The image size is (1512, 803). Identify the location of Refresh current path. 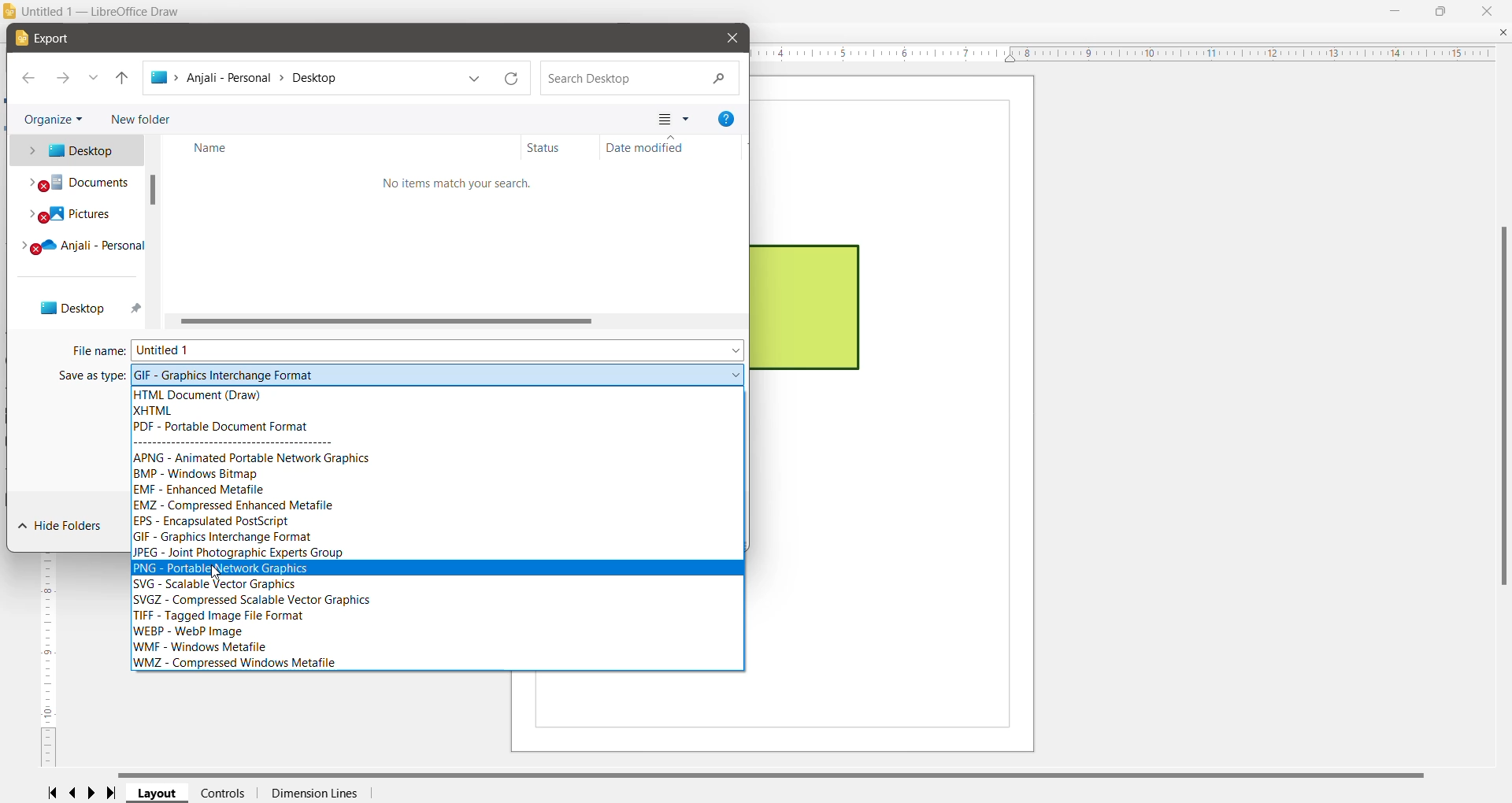
(513, 79).